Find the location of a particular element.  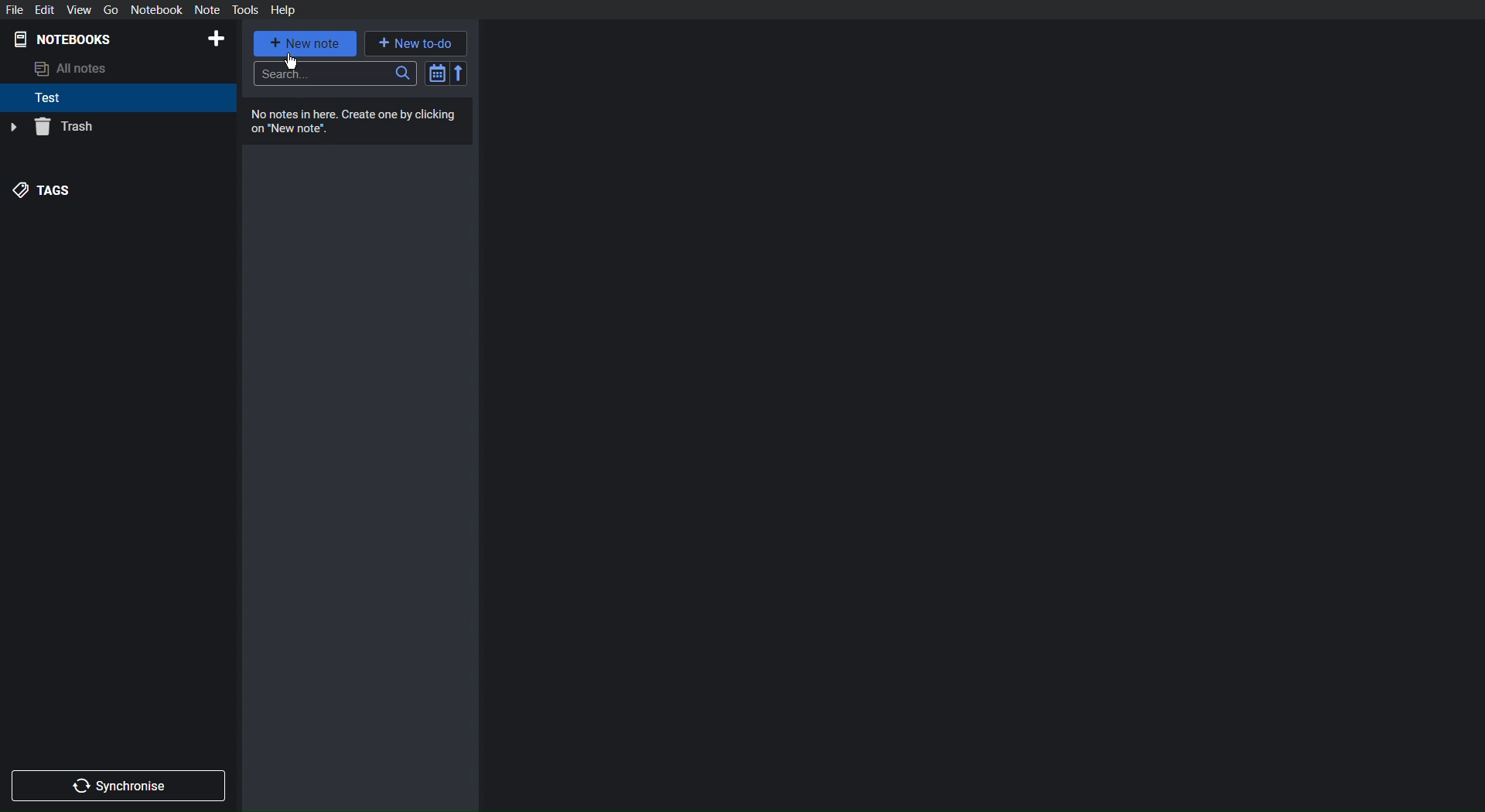

Tools is located at coordinates (246, 10).